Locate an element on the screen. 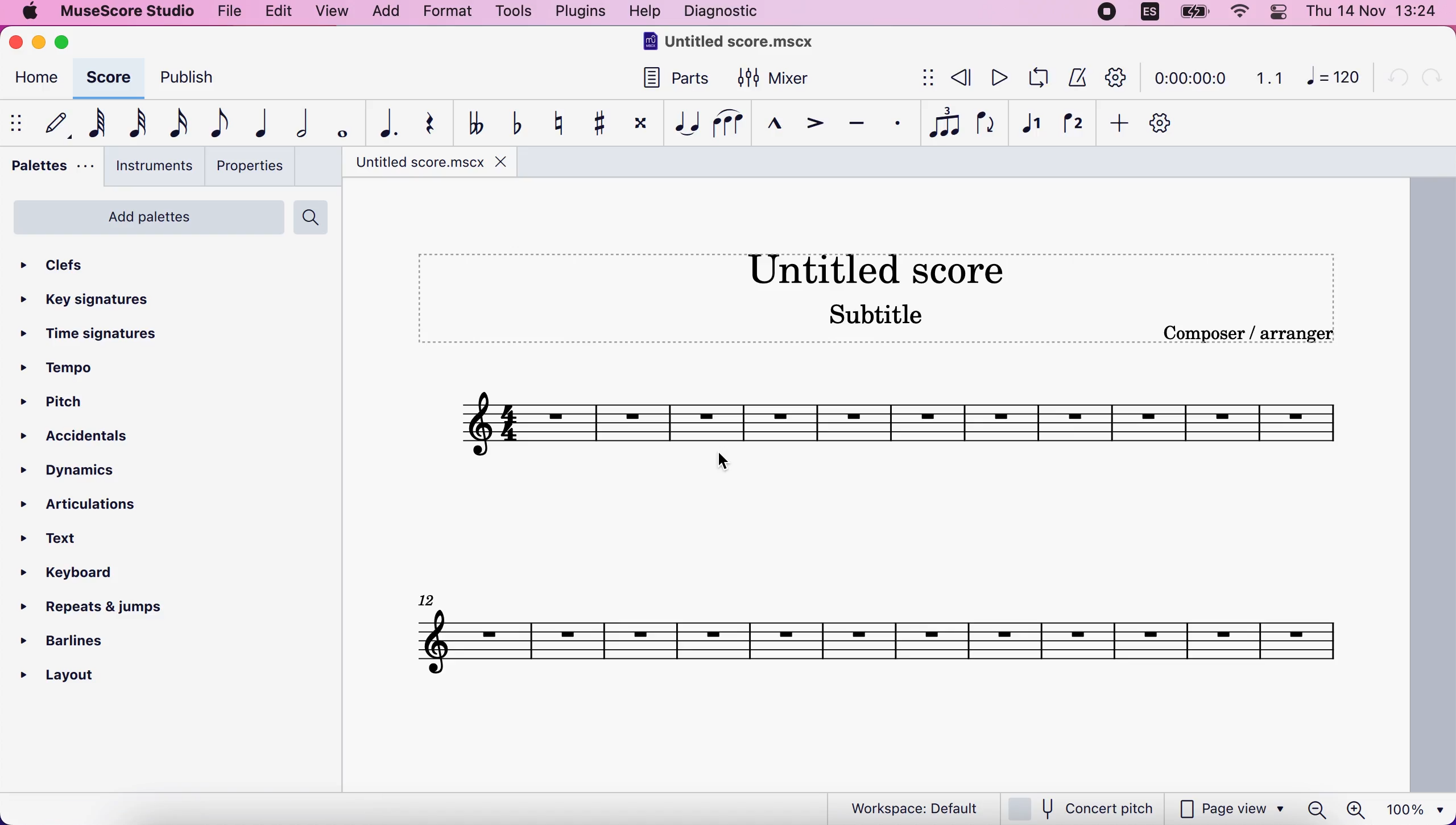 The height and width of the screenshot is (825, 1456). parts is located at coordinates (680, 81).